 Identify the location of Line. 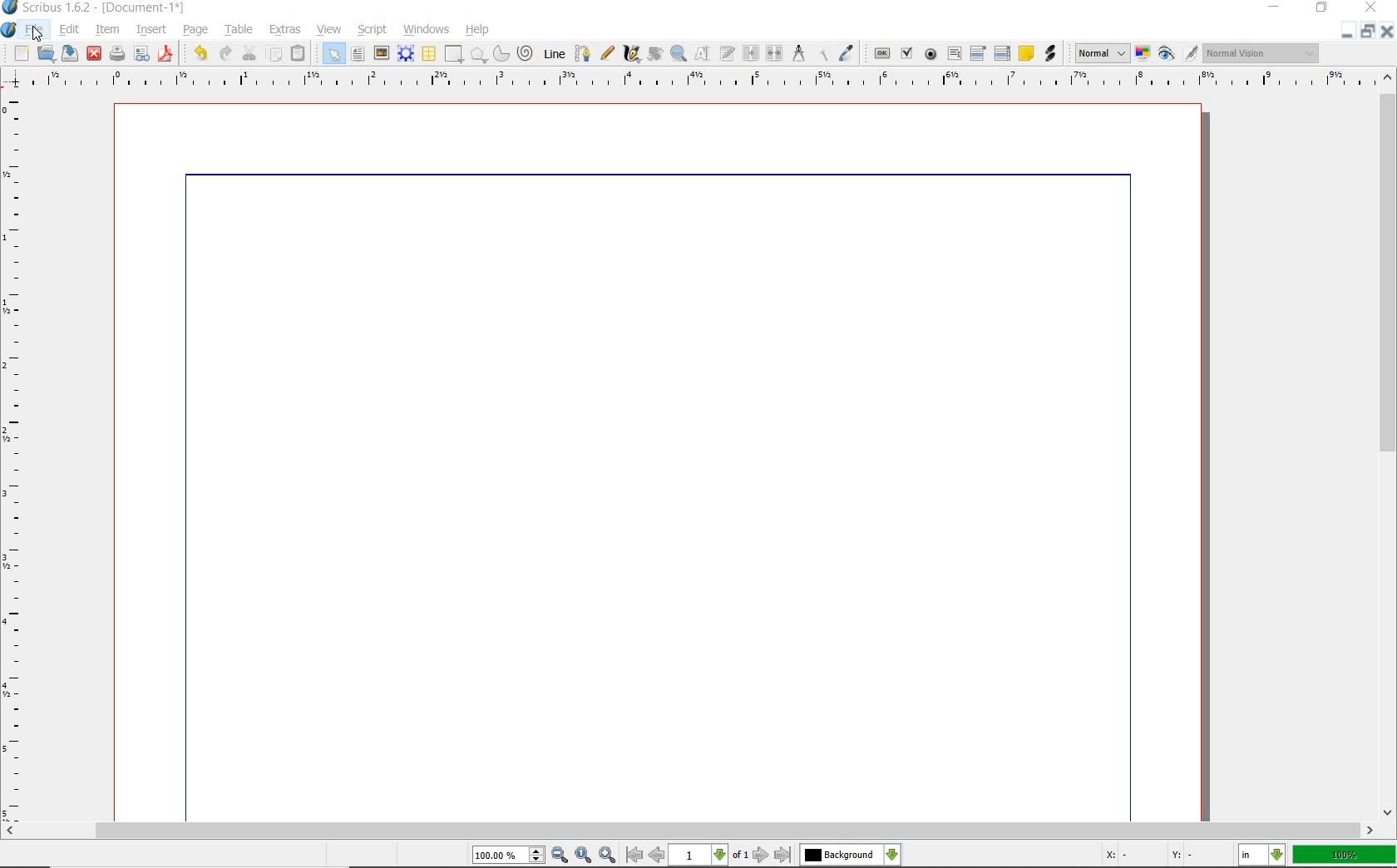
(554, 54).